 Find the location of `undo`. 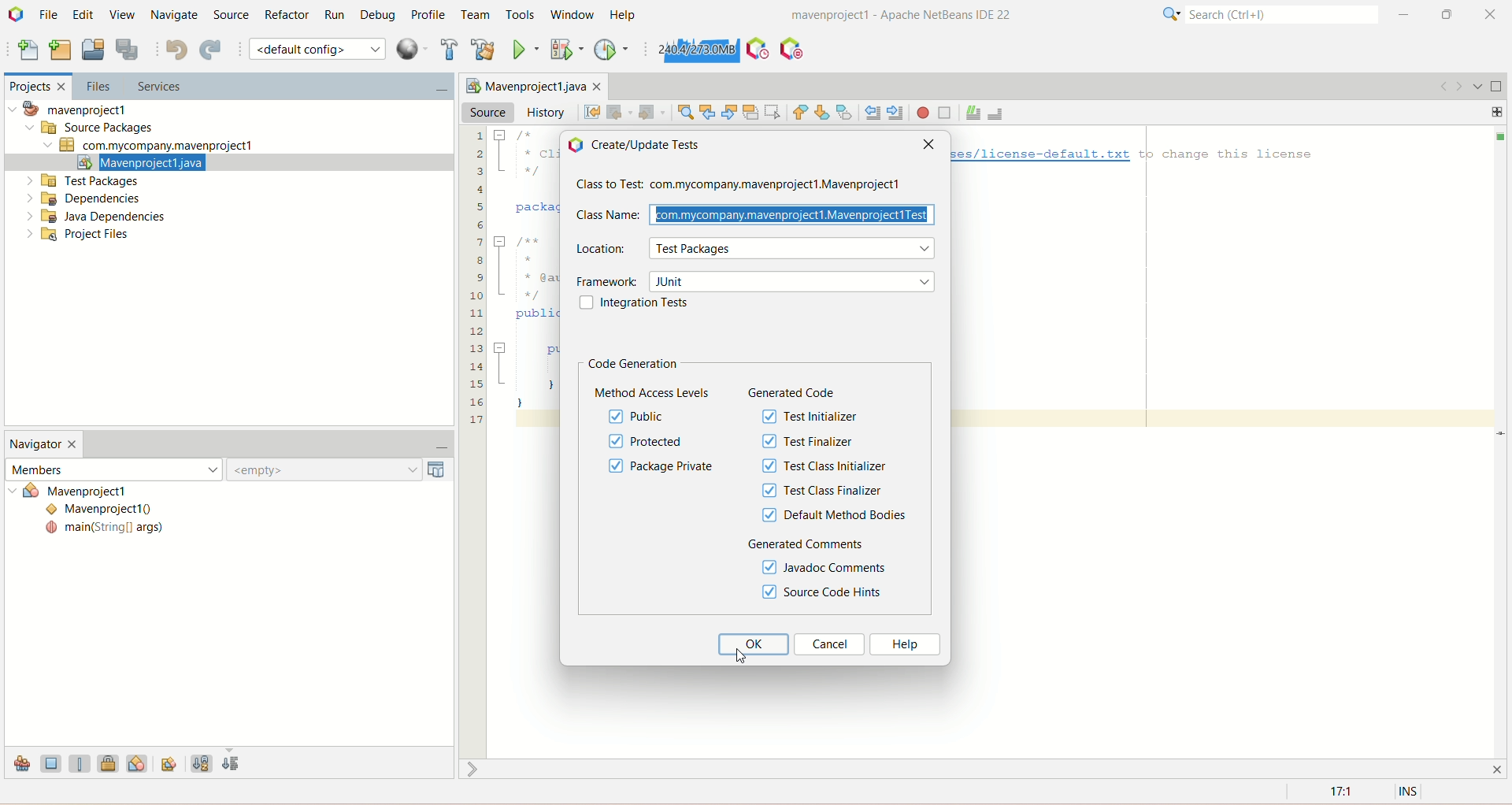

undo is located at coordinates (176, 50).